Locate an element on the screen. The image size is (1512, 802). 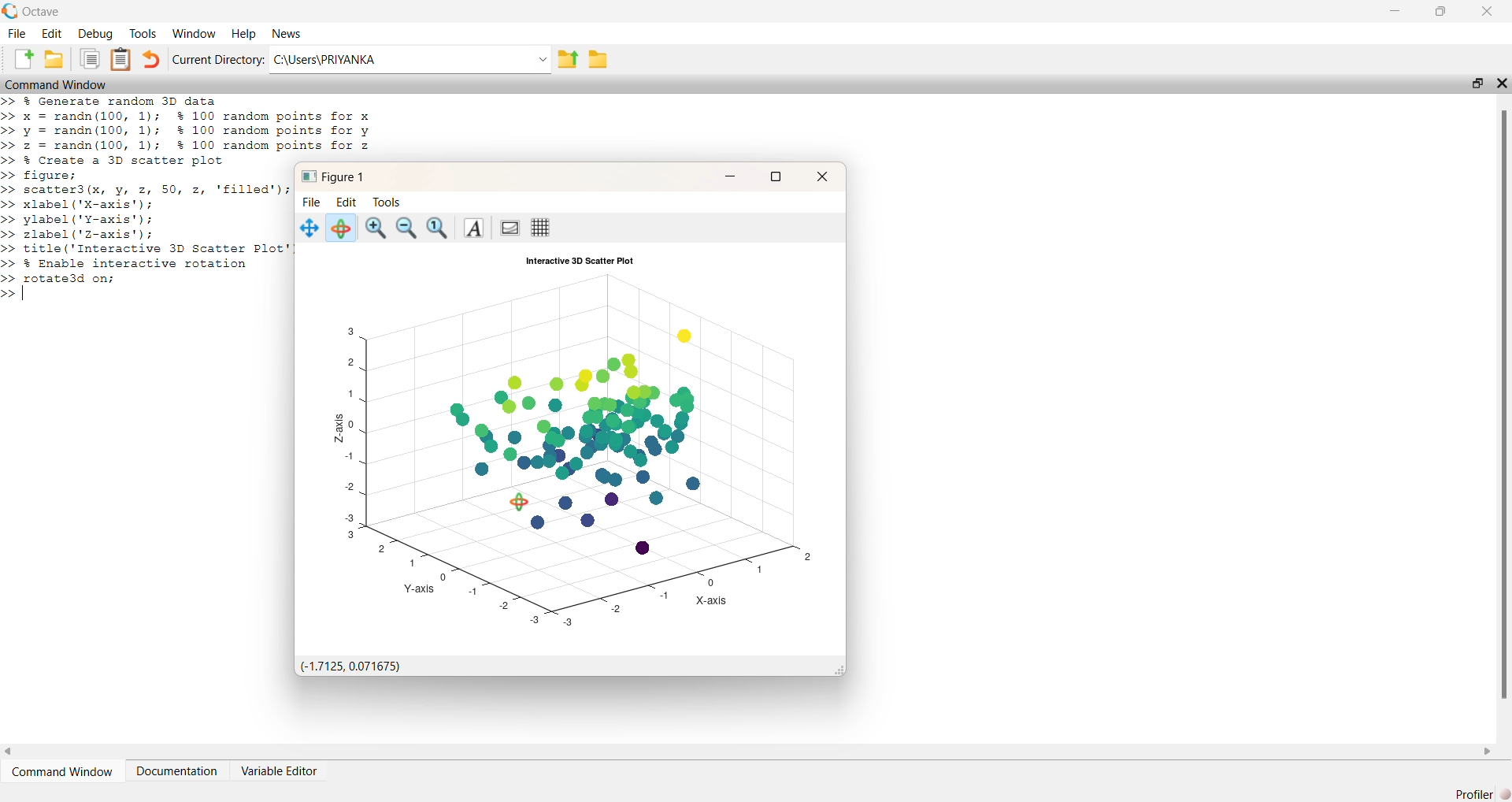
Tools is located at coordinates (143, 34).